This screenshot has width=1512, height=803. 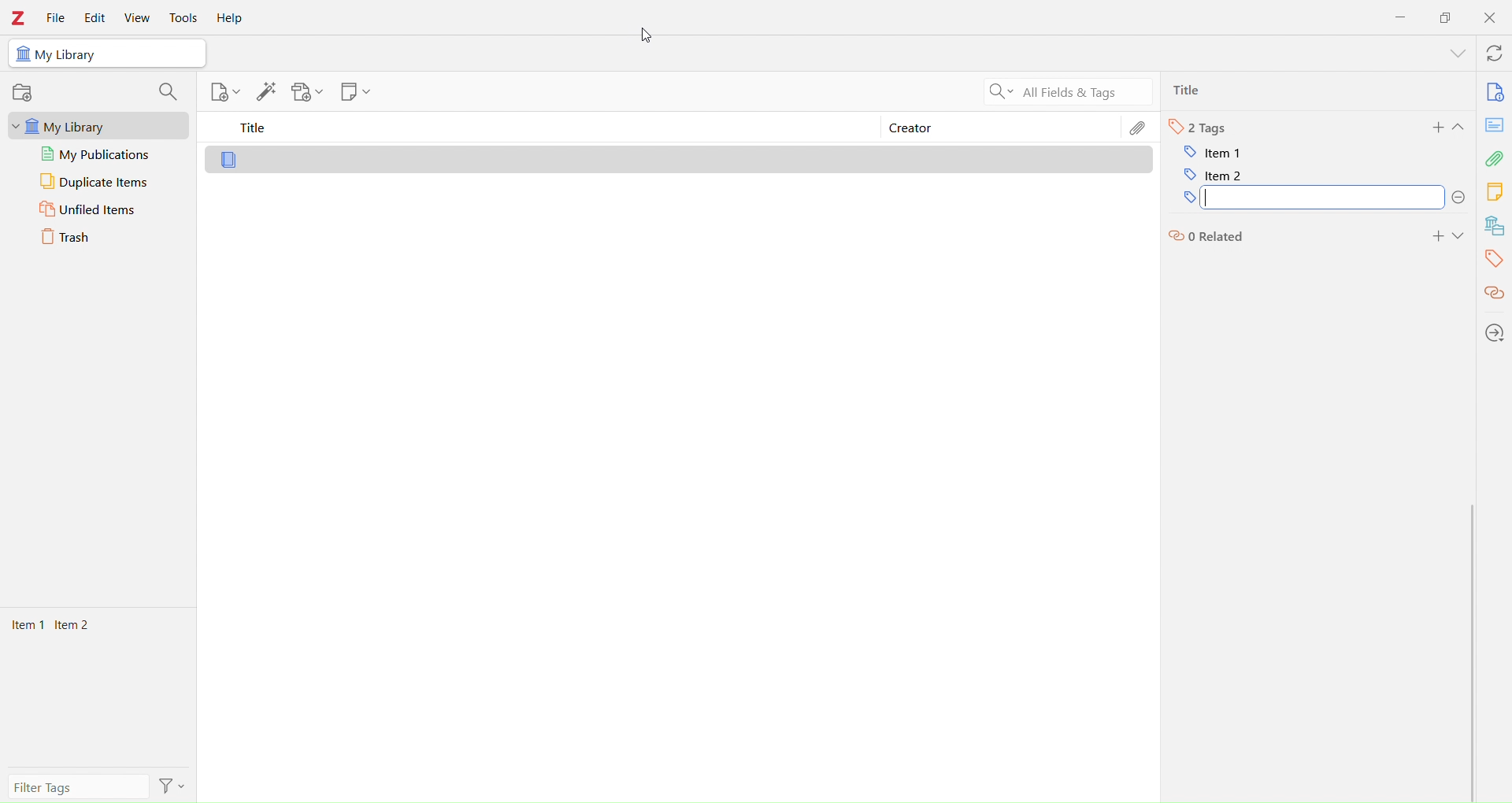 I want to click on Library, so click(x=446, y=158).